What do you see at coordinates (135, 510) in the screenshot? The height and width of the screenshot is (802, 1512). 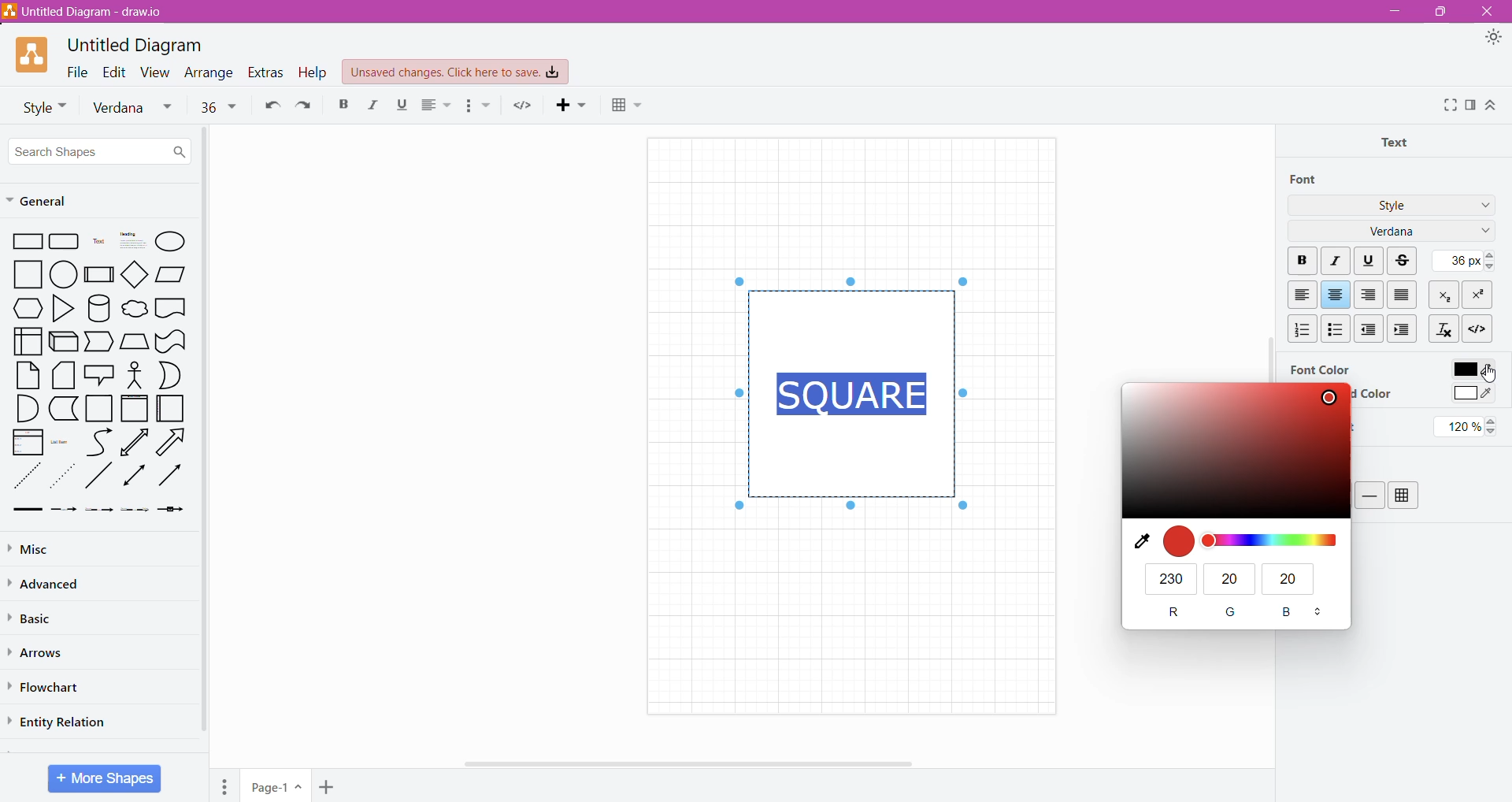 I see `Dotted Arrow ` at bounding box center [135, 510].